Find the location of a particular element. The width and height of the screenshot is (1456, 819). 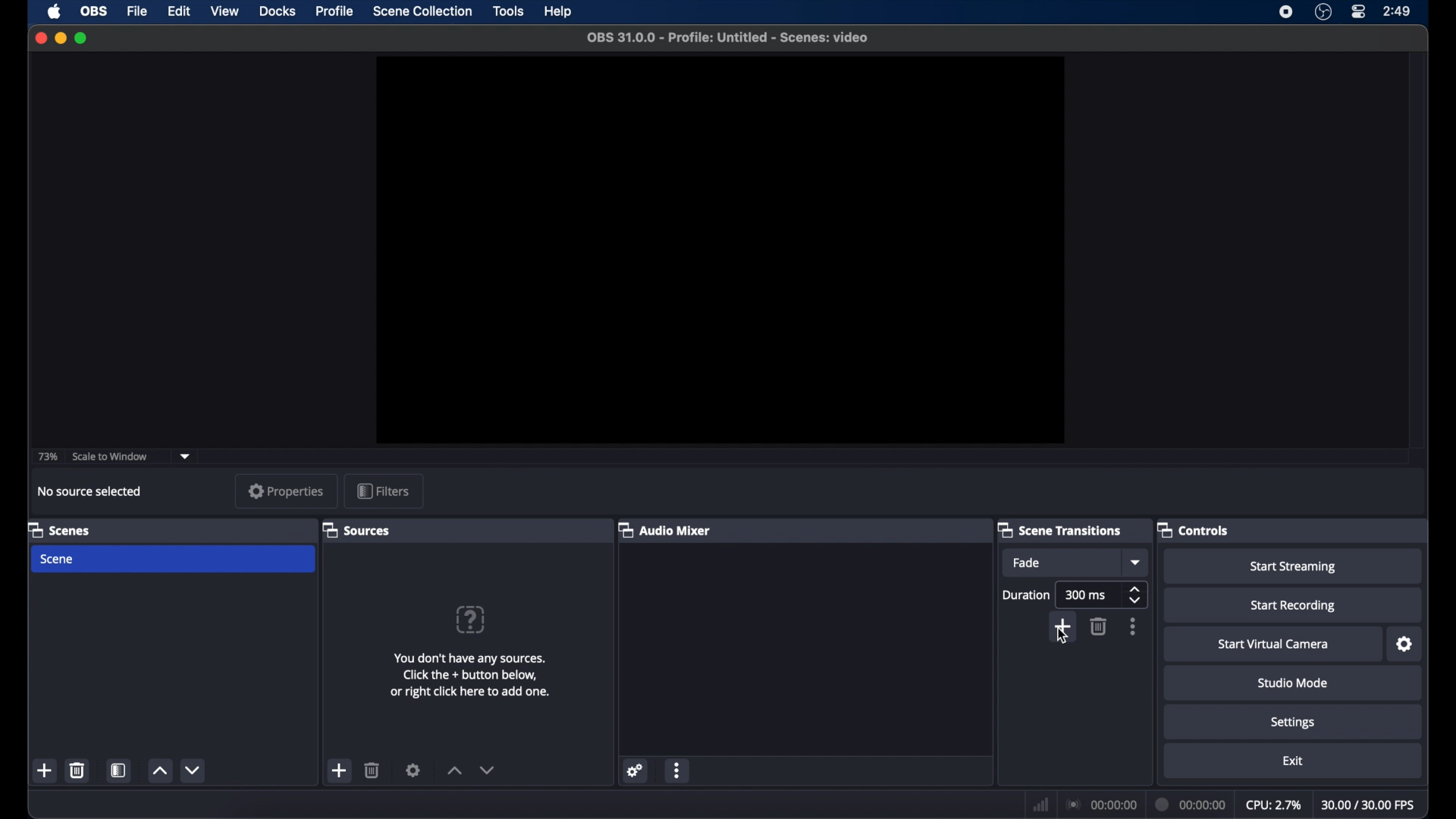

properties is located at coordinates (287, 491).